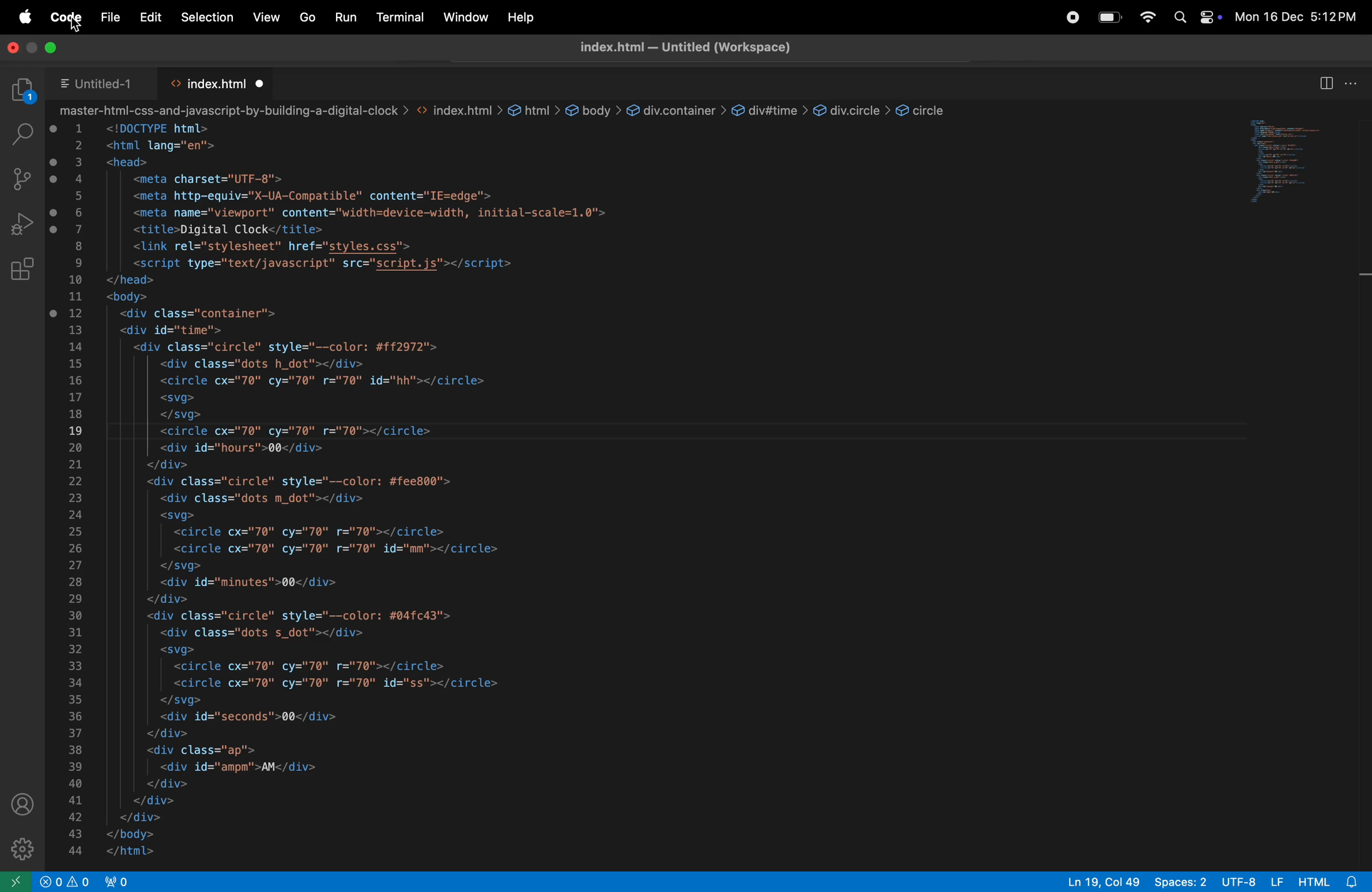 The height and width of the screenshot is (892, 1372). Describe the element at coordinates (1074, 14) in the screenshot. I see `record` at that location.